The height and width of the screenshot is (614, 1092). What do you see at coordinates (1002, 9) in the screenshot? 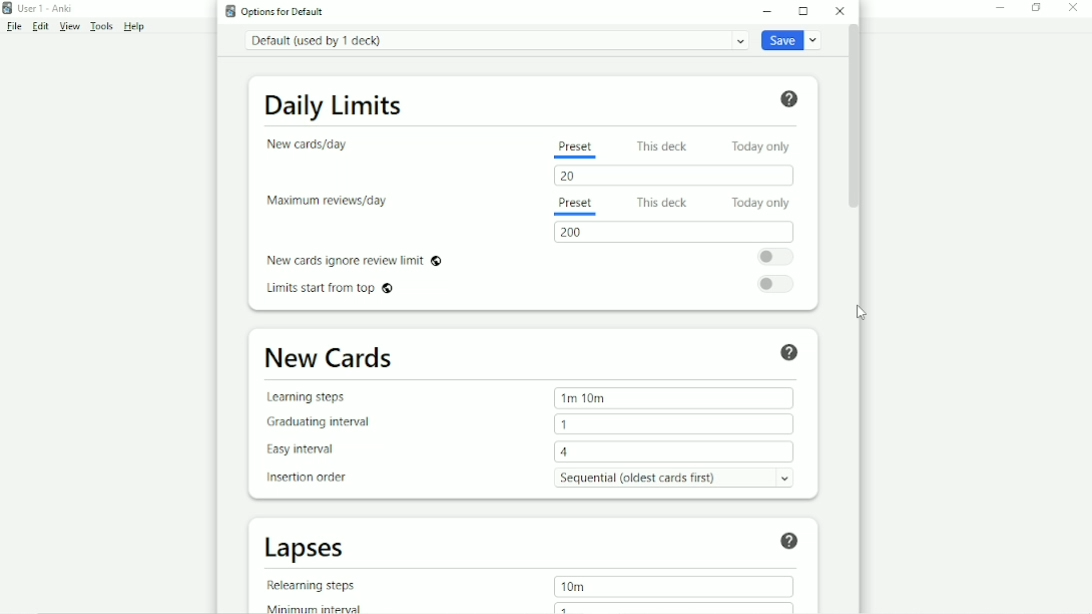
I see `Minimize` at bounding box center [1002, 9].